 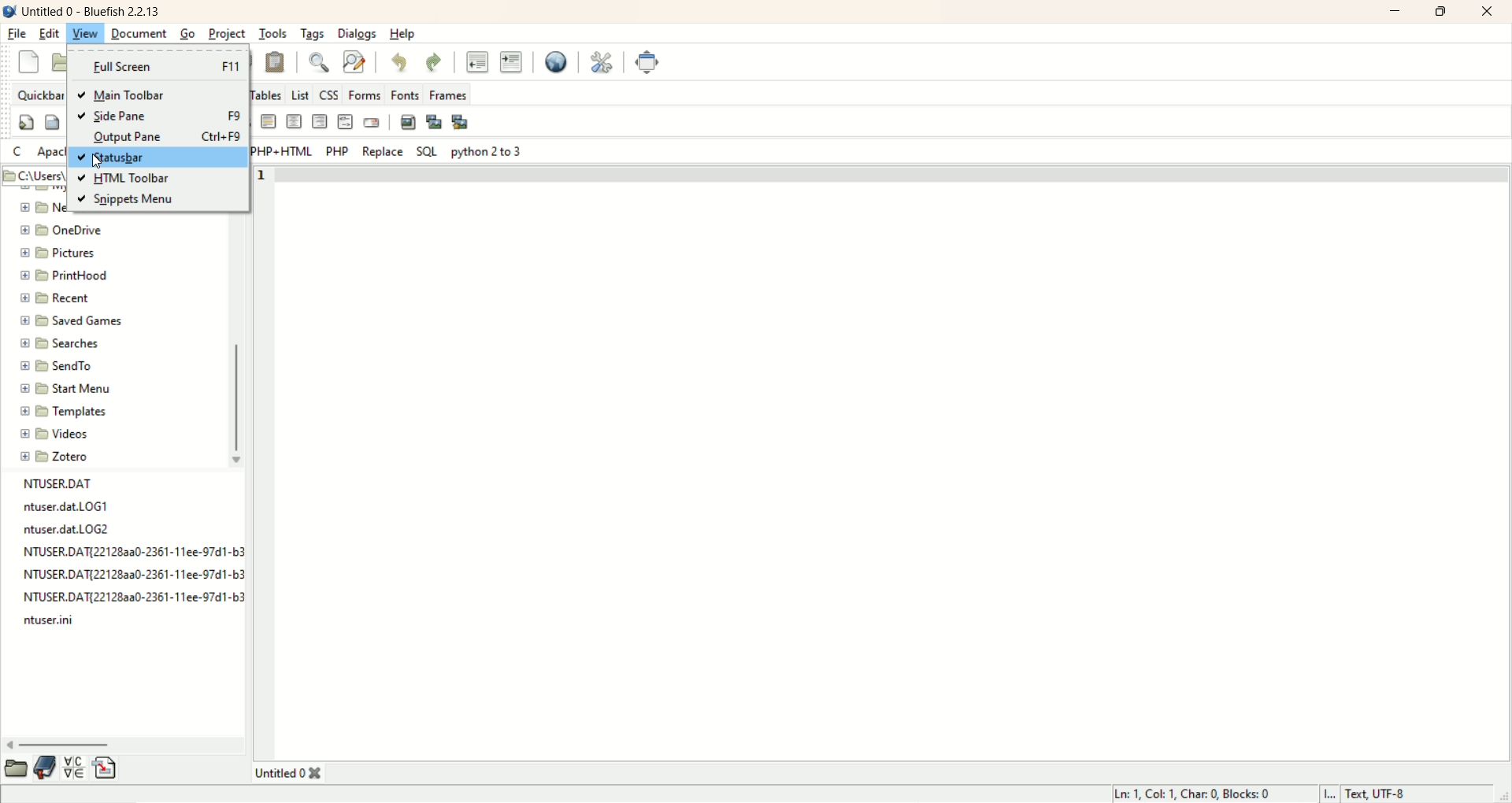 I want to click on full screen, so click(x=650, y=63).